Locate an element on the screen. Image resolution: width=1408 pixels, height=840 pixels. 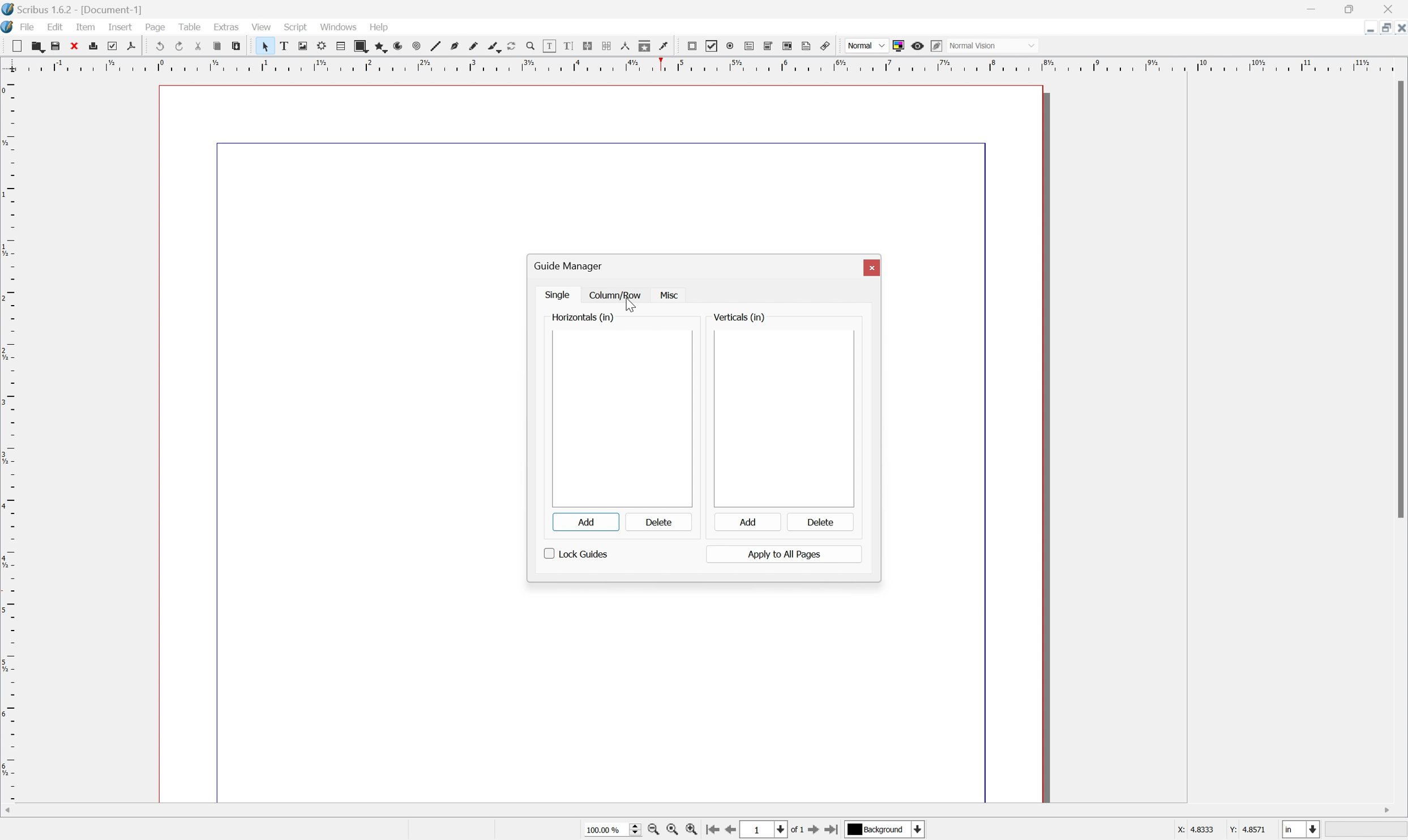
misc is located at coordinates (672, 296).